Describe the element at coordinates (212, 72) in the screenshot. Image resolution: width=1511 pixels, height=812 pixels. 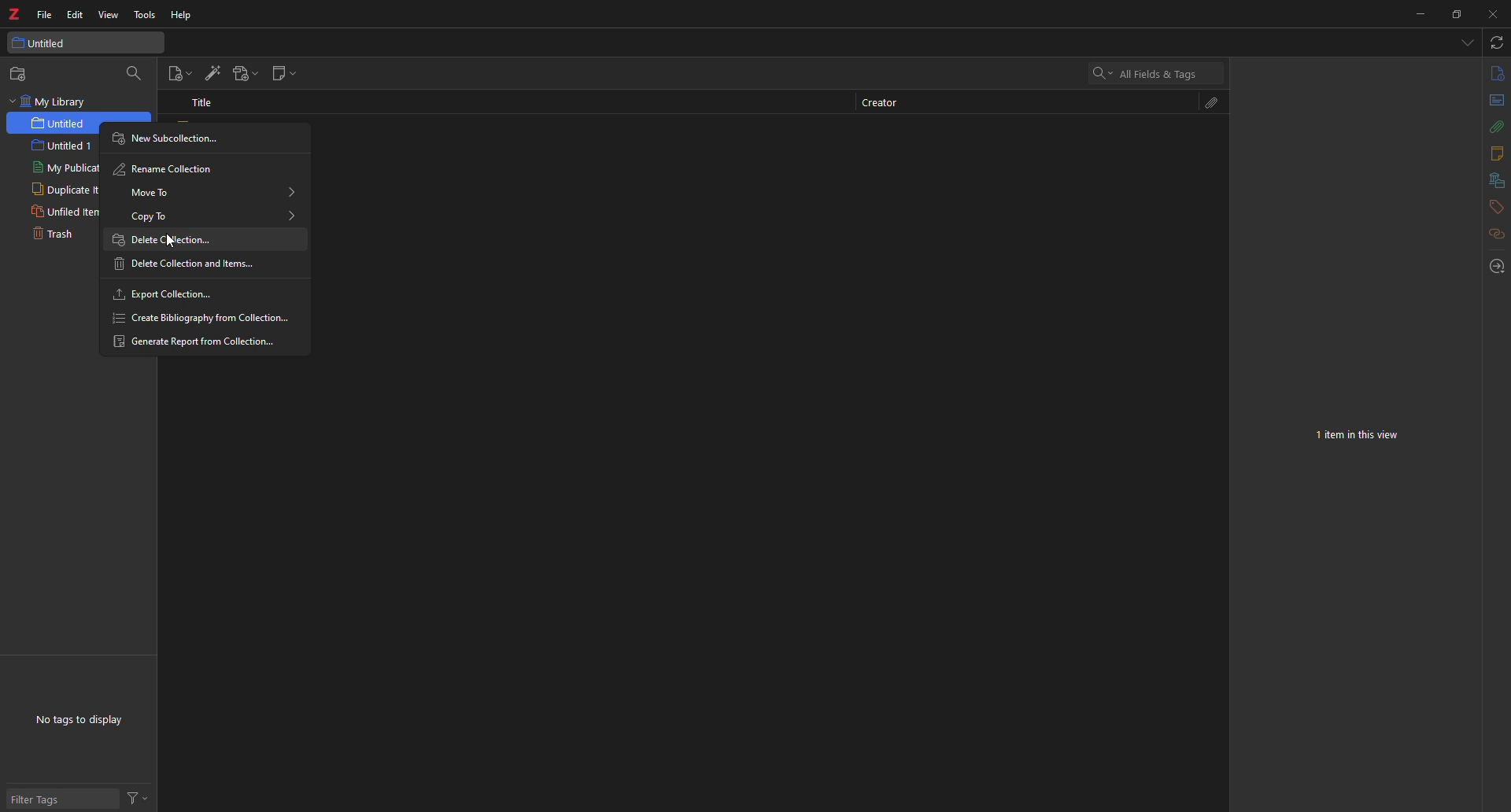
I see `add item` at that location.